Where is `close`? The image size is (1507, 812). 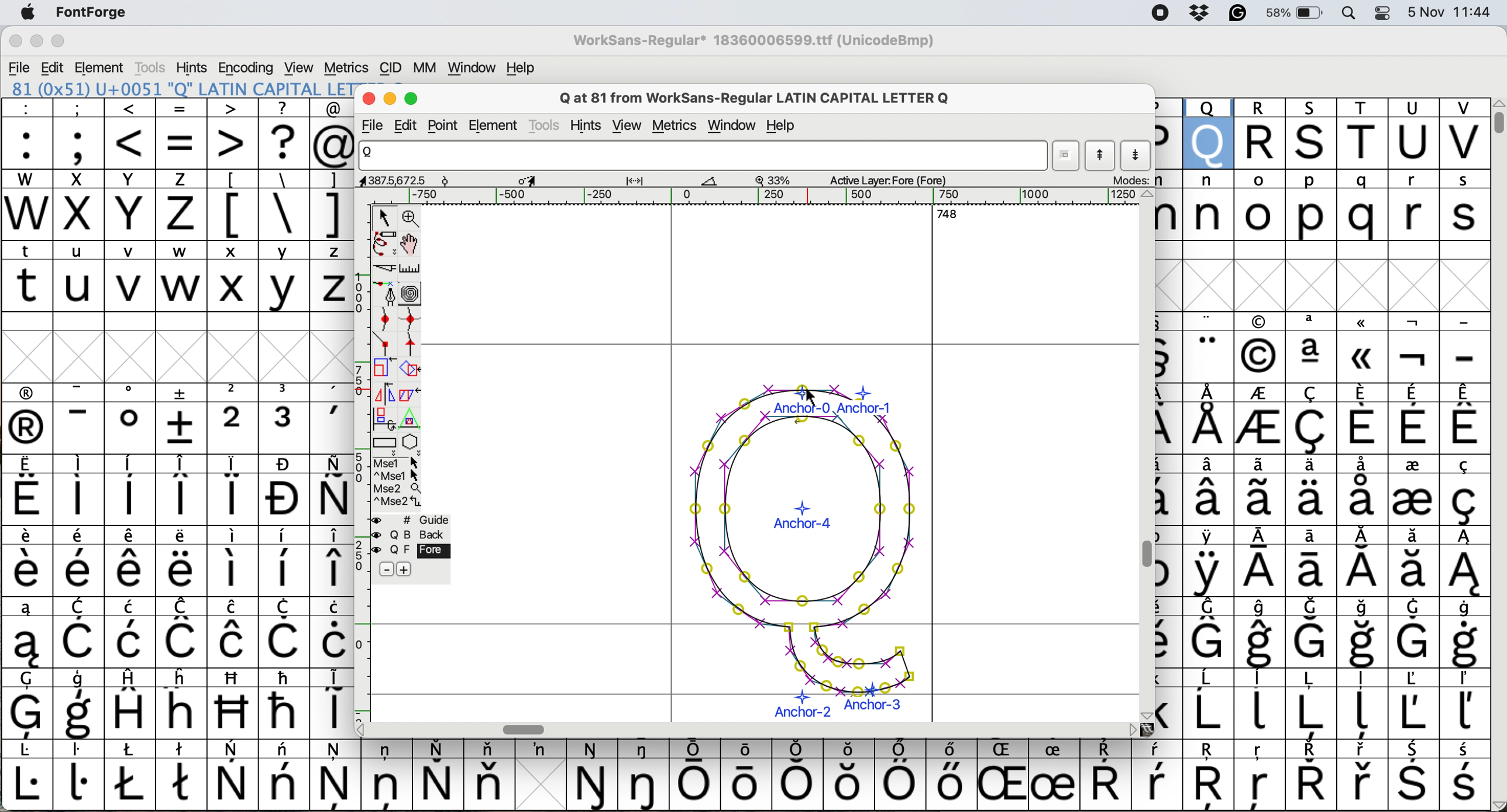
close is located at coordinates (369, 98).